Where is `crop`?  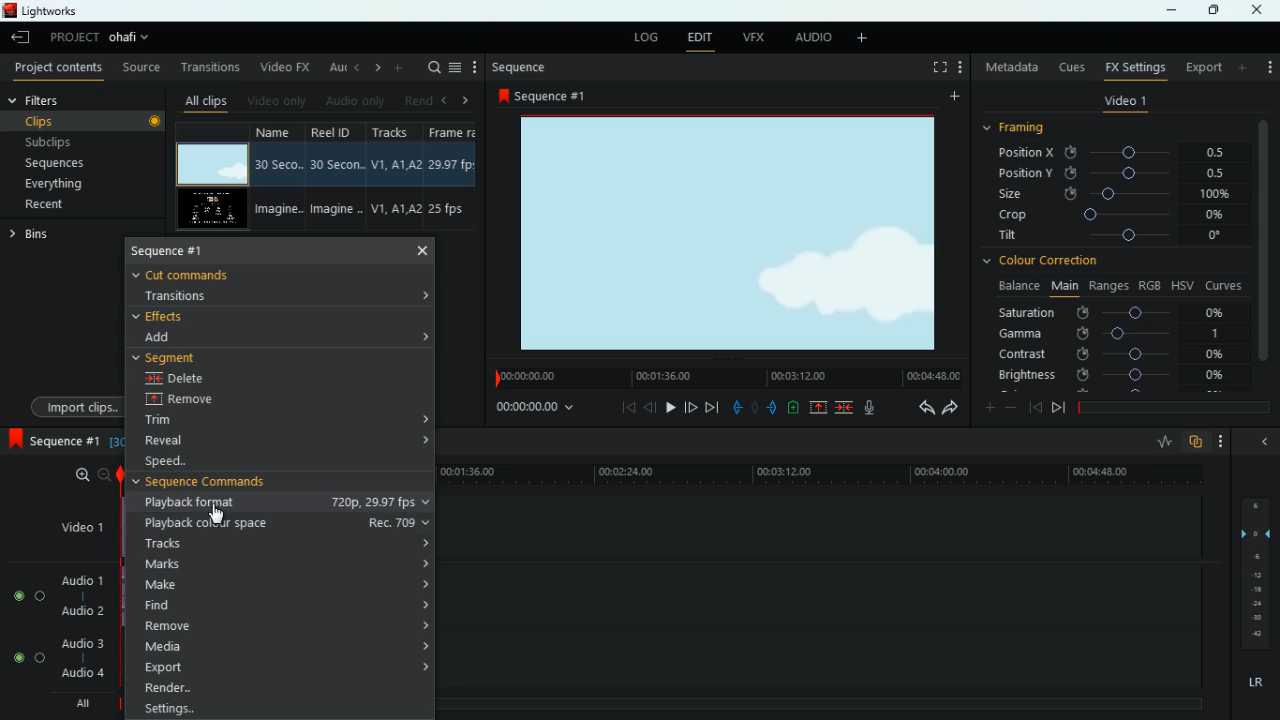
crop is located at coordinates (1118, 216).